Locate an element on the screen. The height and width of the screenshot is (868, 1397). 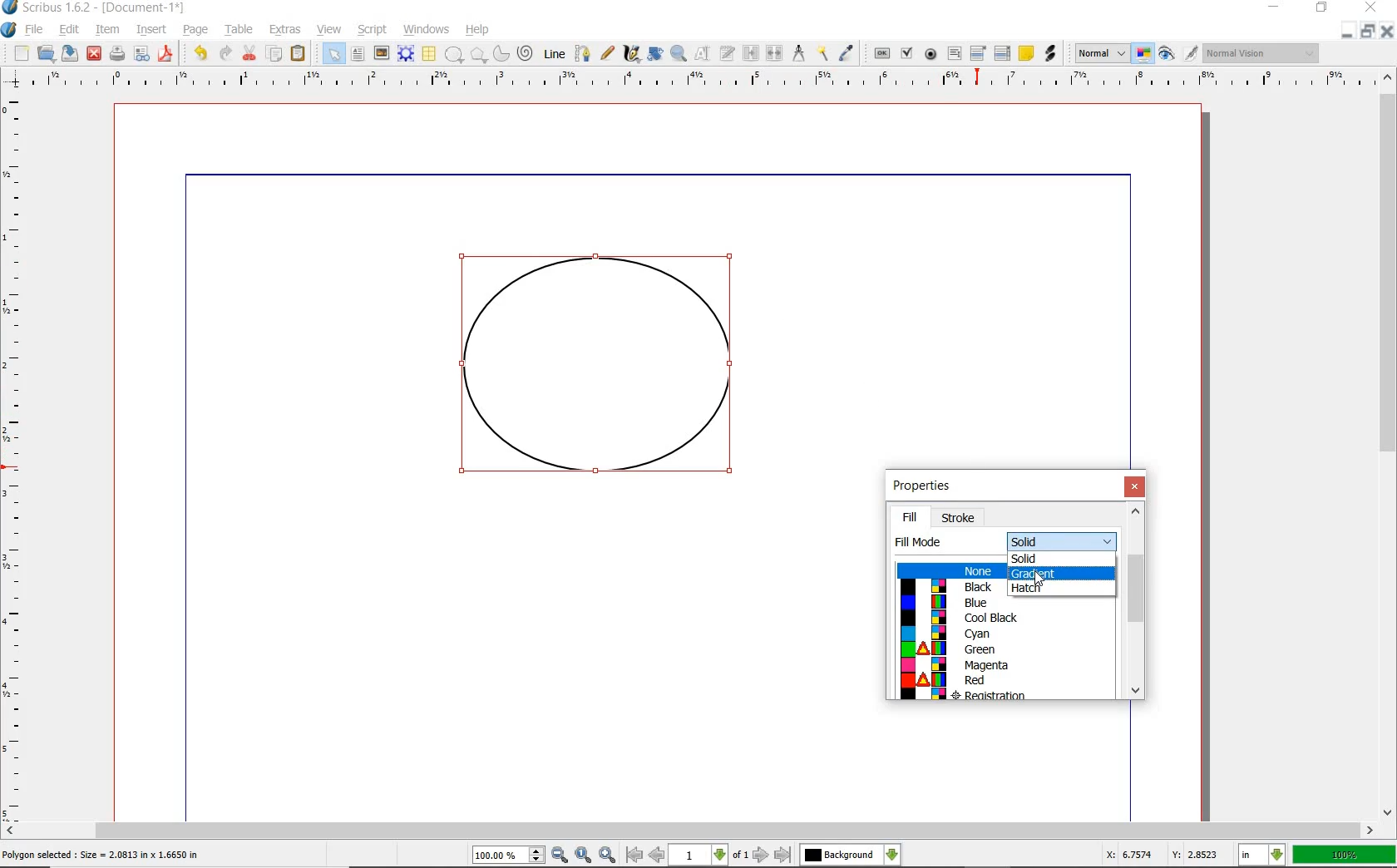
RENDER FRAME is located at coordinates (404, 53).